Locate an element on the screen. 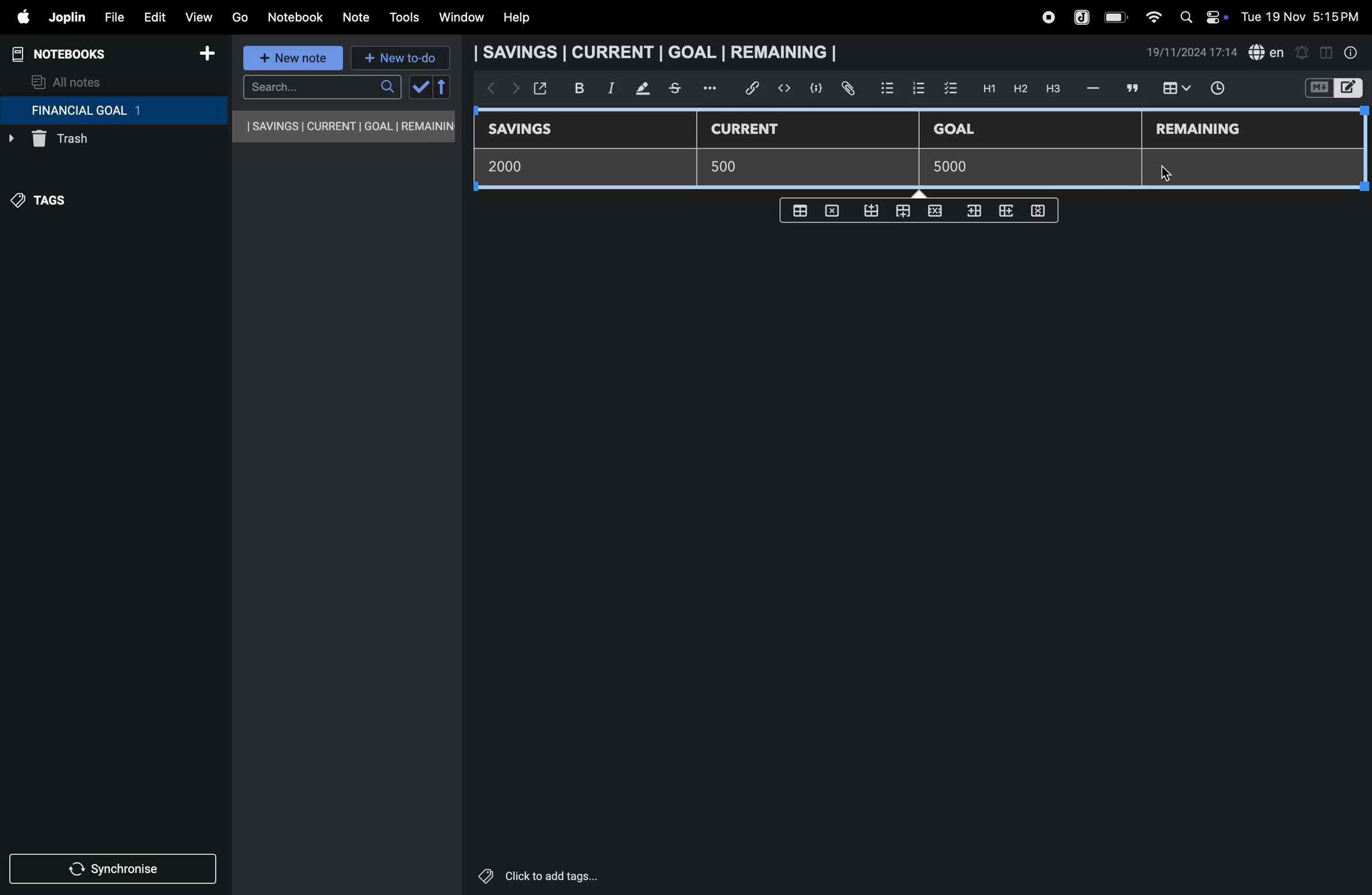 This screenshot has width=1372, height=895. create table is located at coordinates (802, 208).